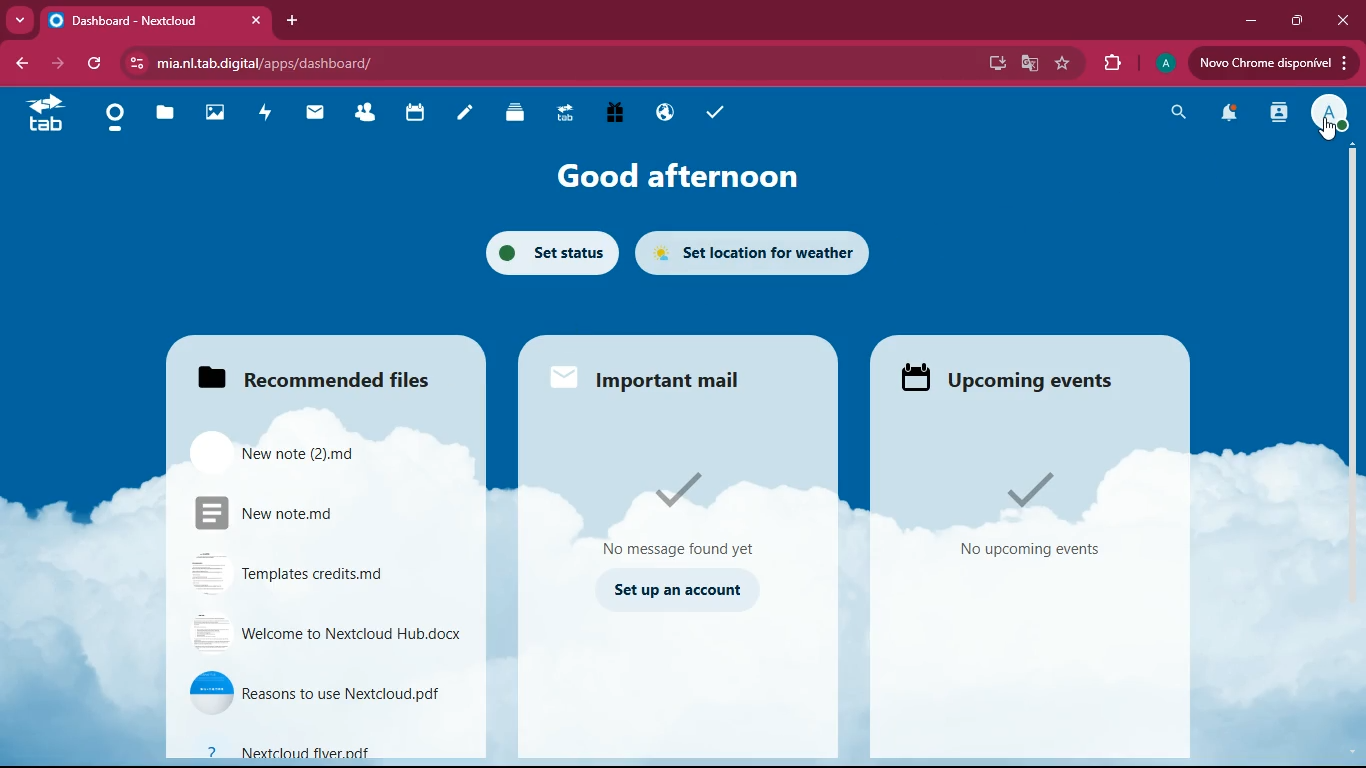  Describe the element at coordinates (316, 512) in the screenshot. I see `file` at that location.